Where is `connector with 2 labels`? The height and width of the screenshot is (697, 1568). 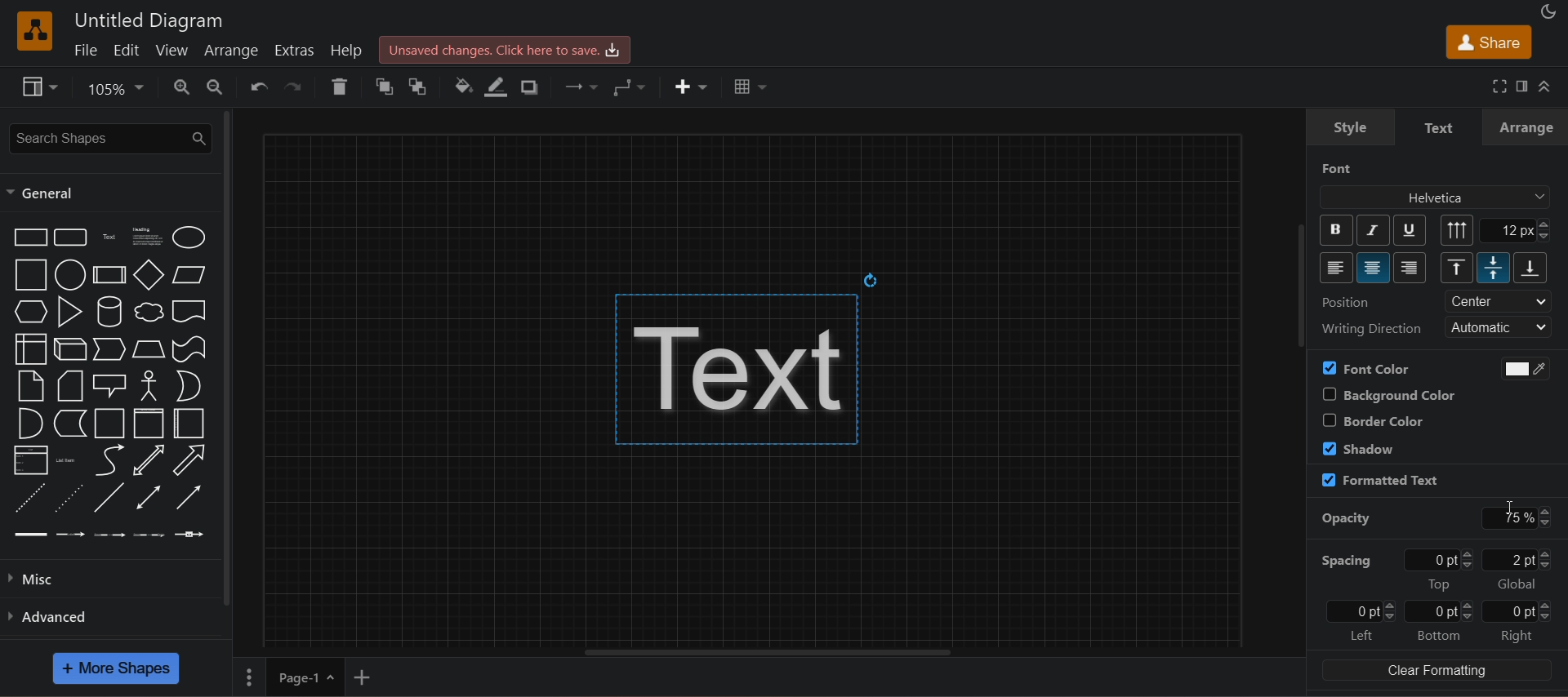 connector with 2 labels is located at coordinates (110, 535).